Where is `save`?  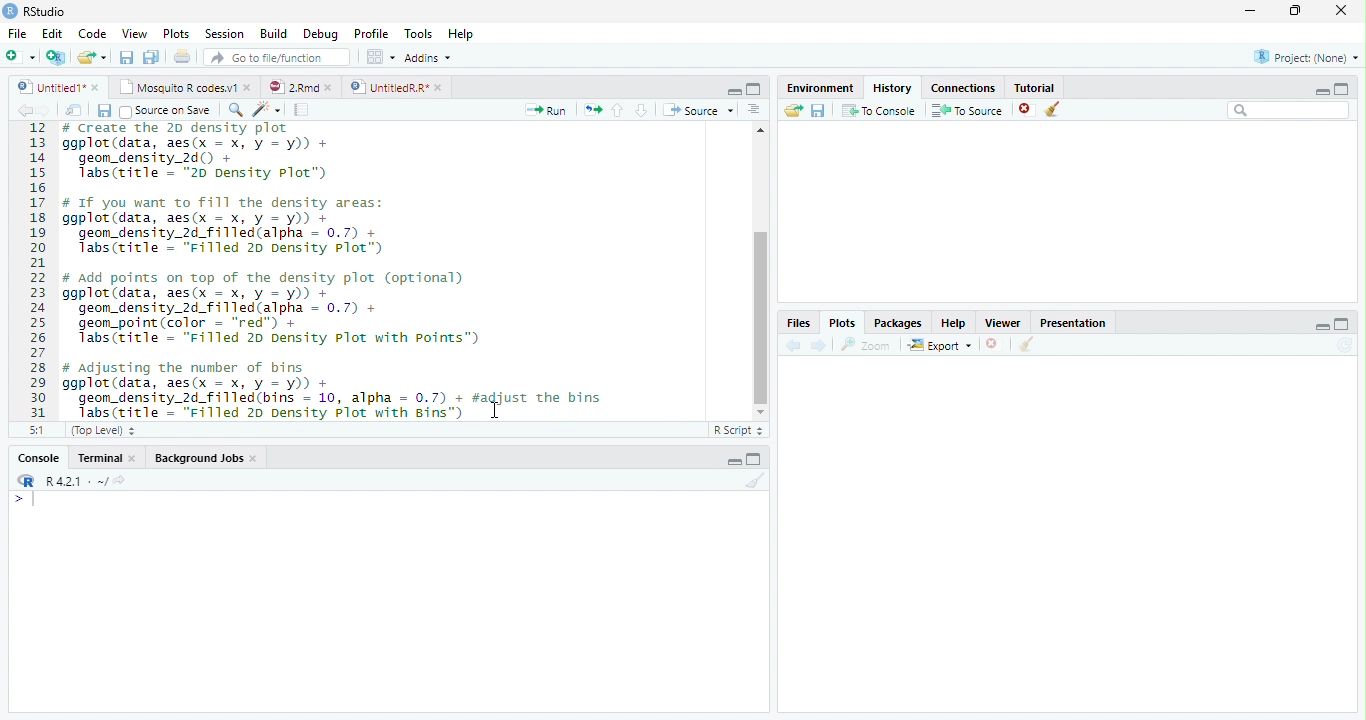
save is located at coordinates (104, 111).